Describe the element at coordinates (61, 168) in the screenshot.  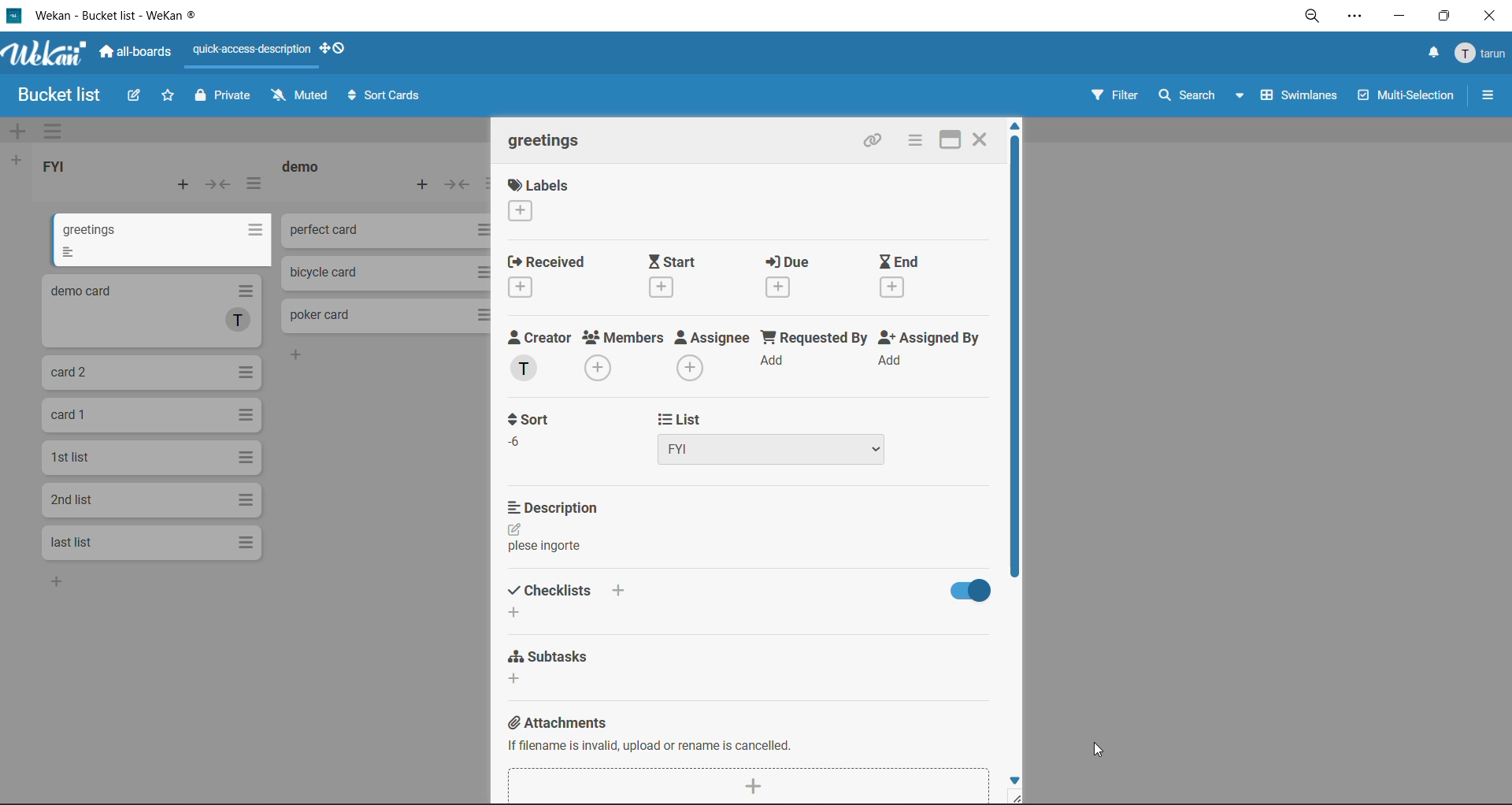
I see `list title` at that location.